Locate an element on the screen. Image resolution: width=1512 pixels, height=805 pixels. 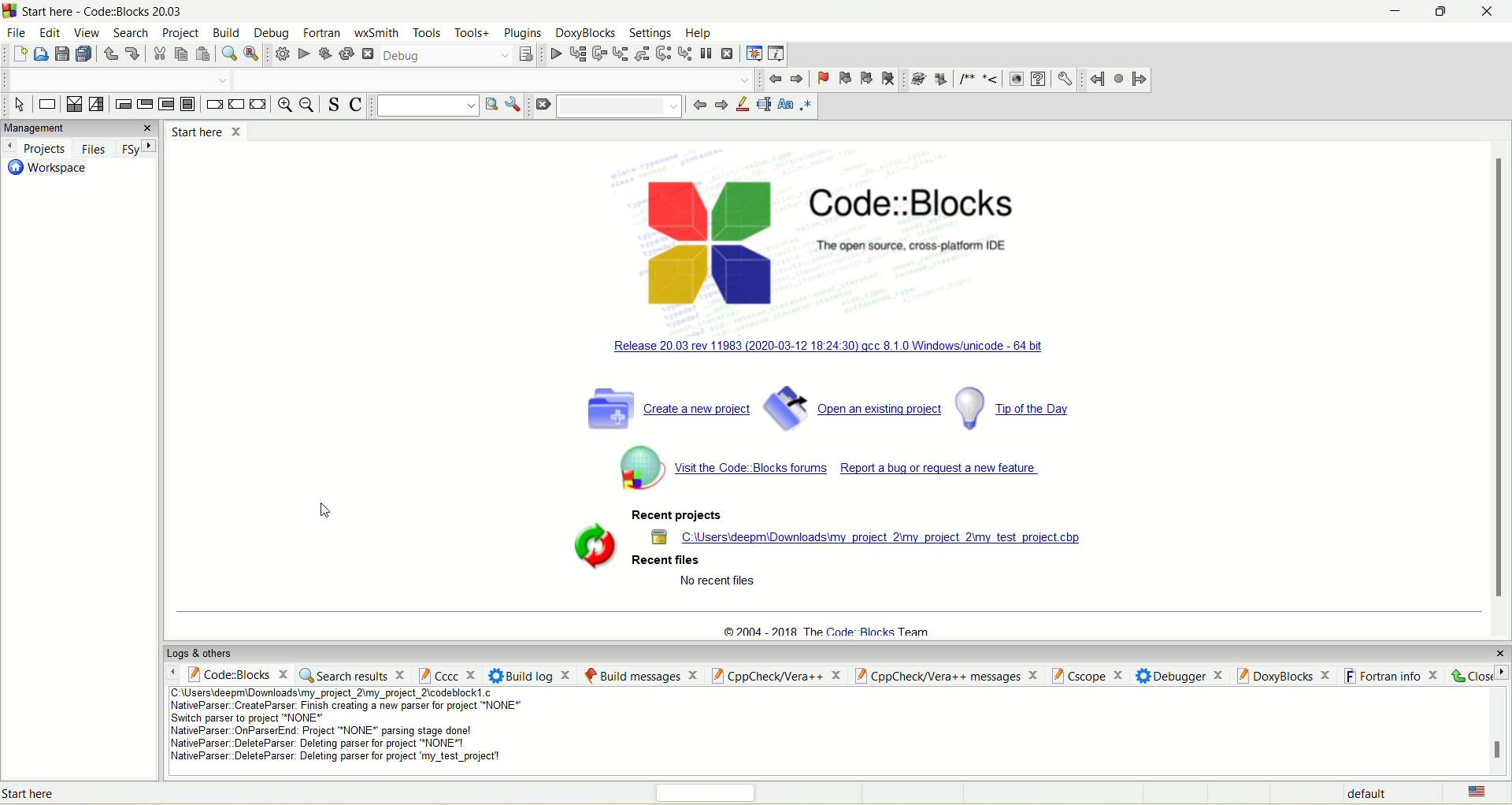
debugging is located at coordinates (752, 54).